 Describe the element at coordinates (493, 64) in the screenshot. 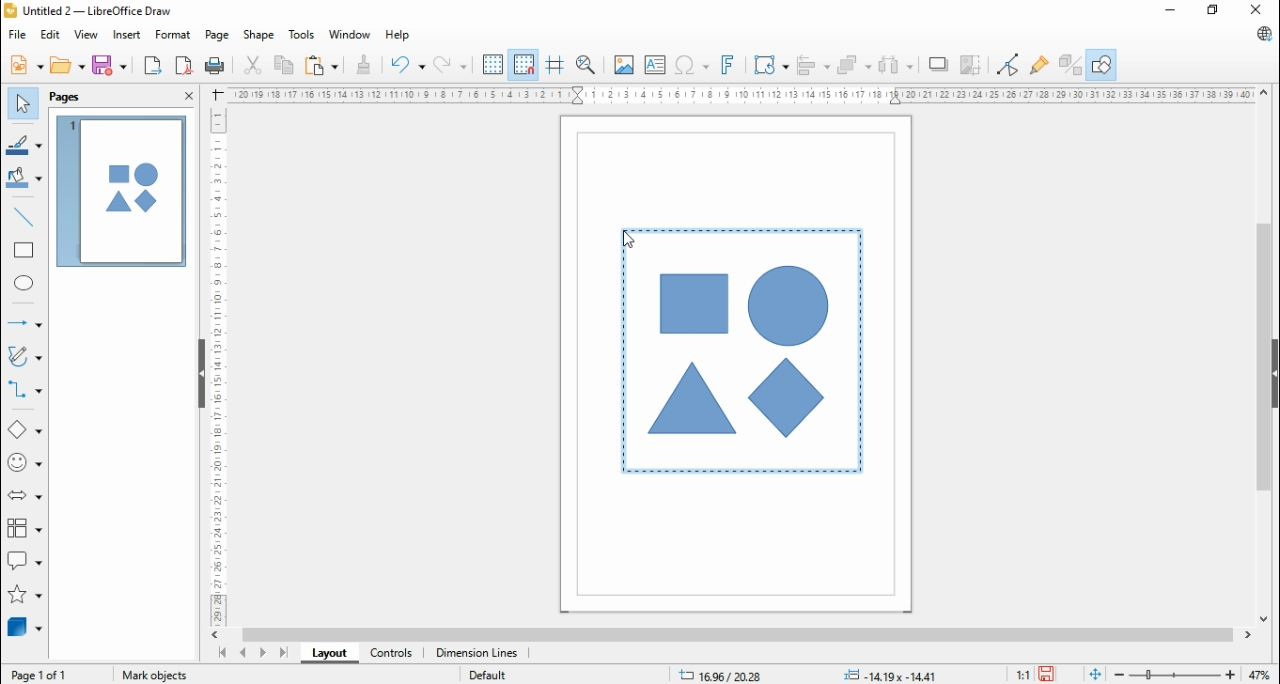

I see `show grid` at that location.